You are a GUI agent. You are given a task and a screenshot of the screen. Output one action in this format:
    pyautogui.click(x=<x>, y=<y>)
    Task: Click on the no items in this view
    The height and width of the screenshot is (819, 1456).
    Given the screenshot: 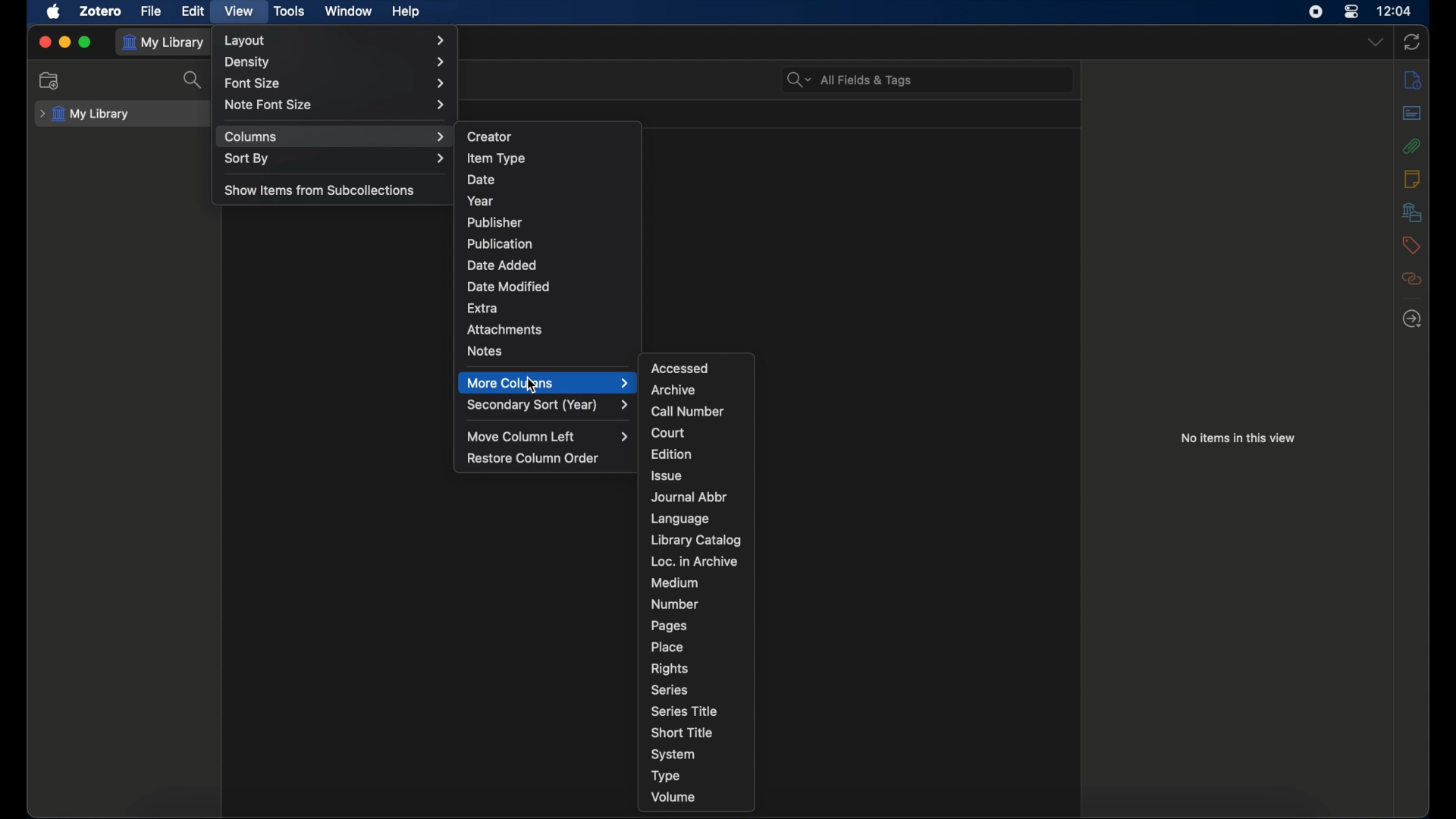 What is the action you would take?
    pyautogui.click(x=1238, y=438)
    